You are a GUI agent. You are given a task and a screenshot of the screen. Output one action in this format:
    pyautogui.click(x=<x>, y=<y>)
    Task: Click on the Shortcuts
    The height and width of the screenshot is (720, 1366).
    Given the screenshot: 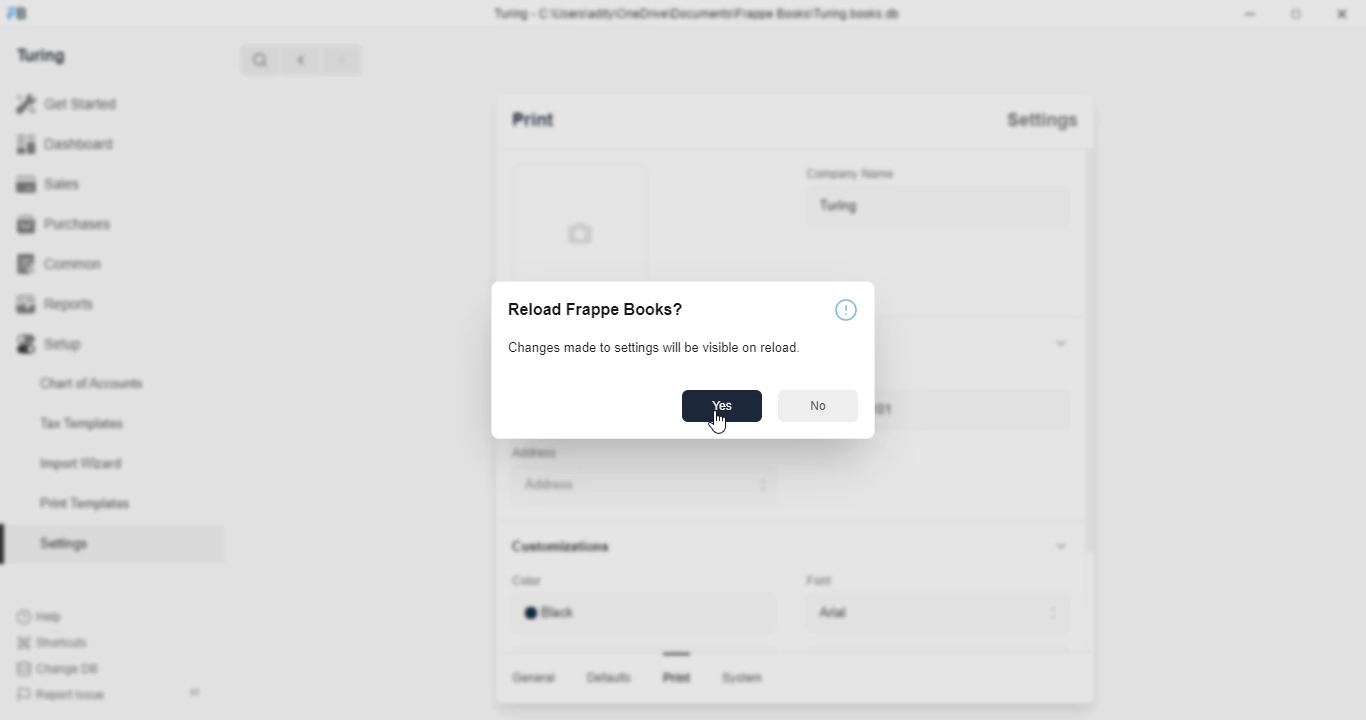 What is the action you would take?
    pyautogui.click(x=57, y=642)
    